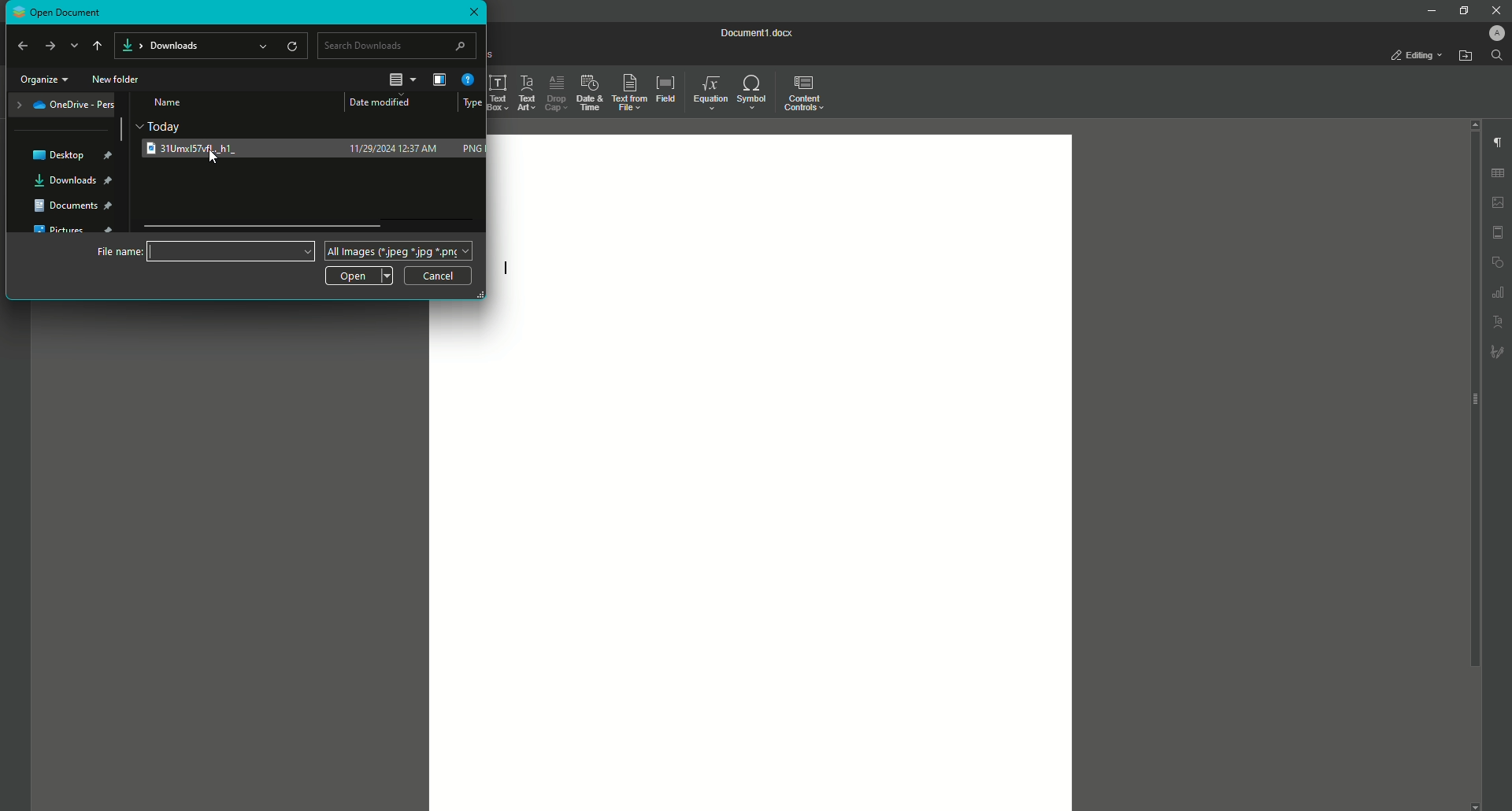 This screenshot has width=1512, height=811. Describe the element at coordinates (395, 148) in the screenshot. I see `Date and Time` at that location.